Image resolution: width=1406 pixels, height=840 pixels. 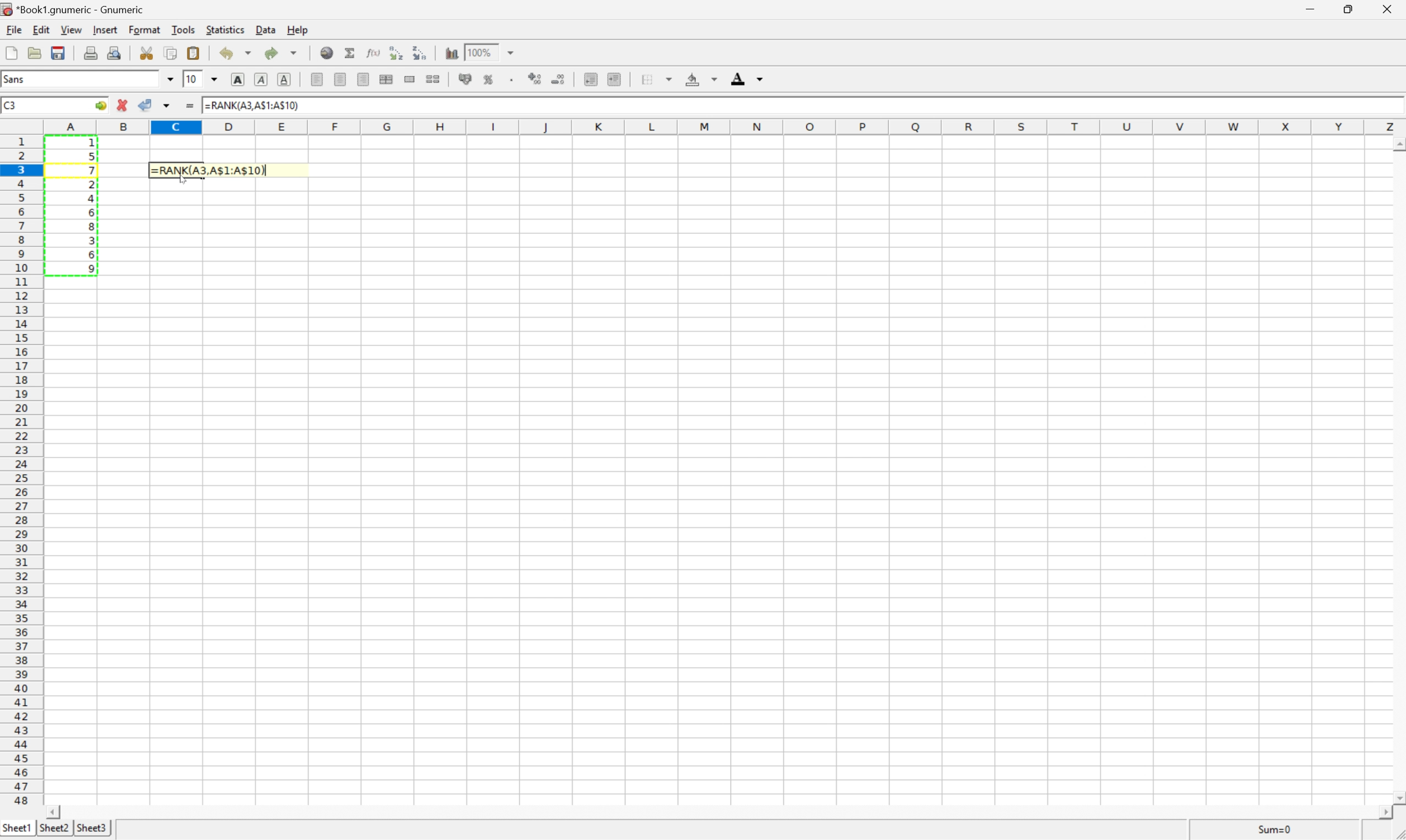 What do you see at coordinates (373, 52) in the screenshot?
I see `edit function in current cell` at bounding box center [373, 52].